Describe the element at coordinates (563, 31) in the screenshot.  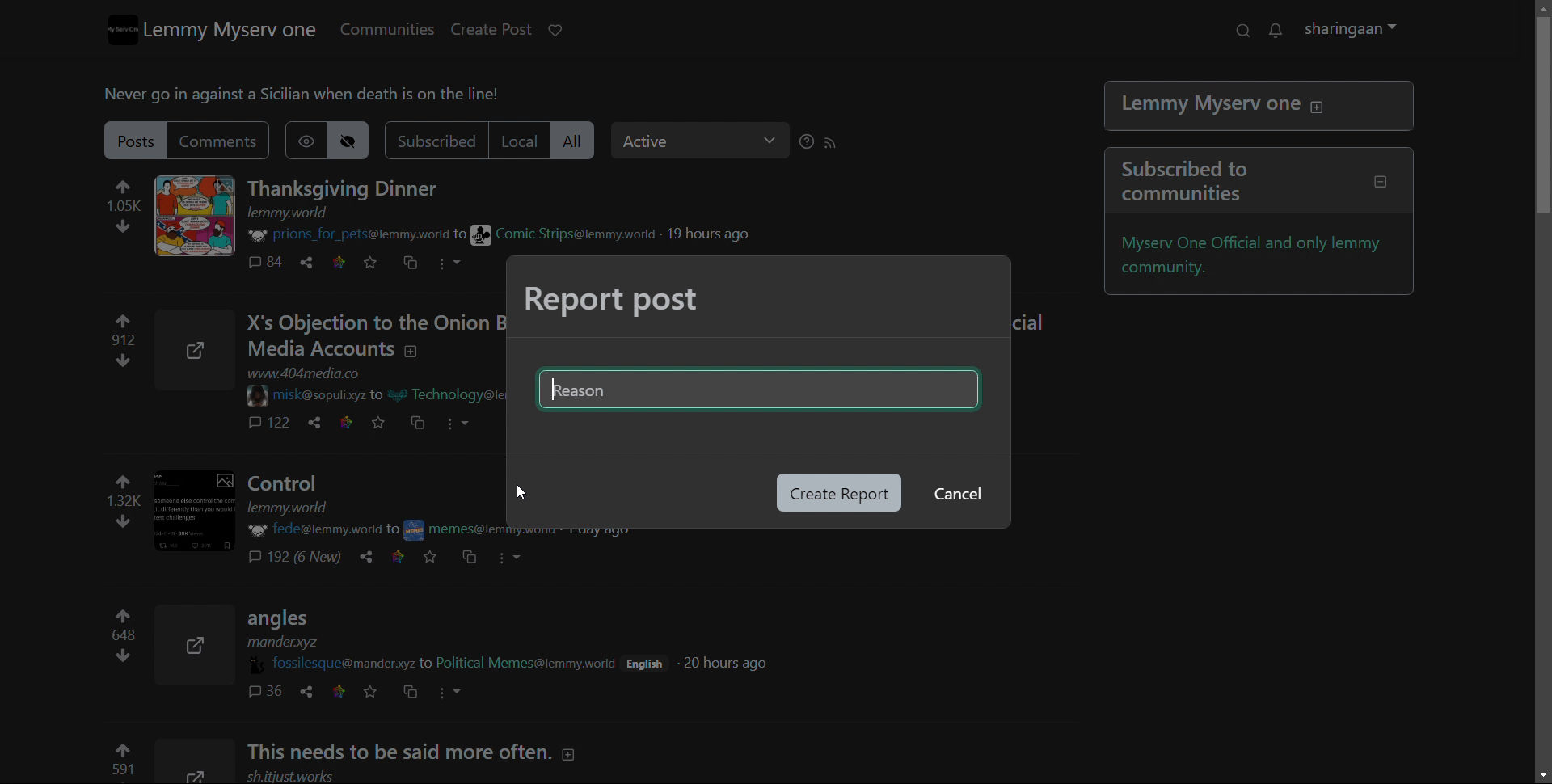
I see `donate to lemmy` at that location.